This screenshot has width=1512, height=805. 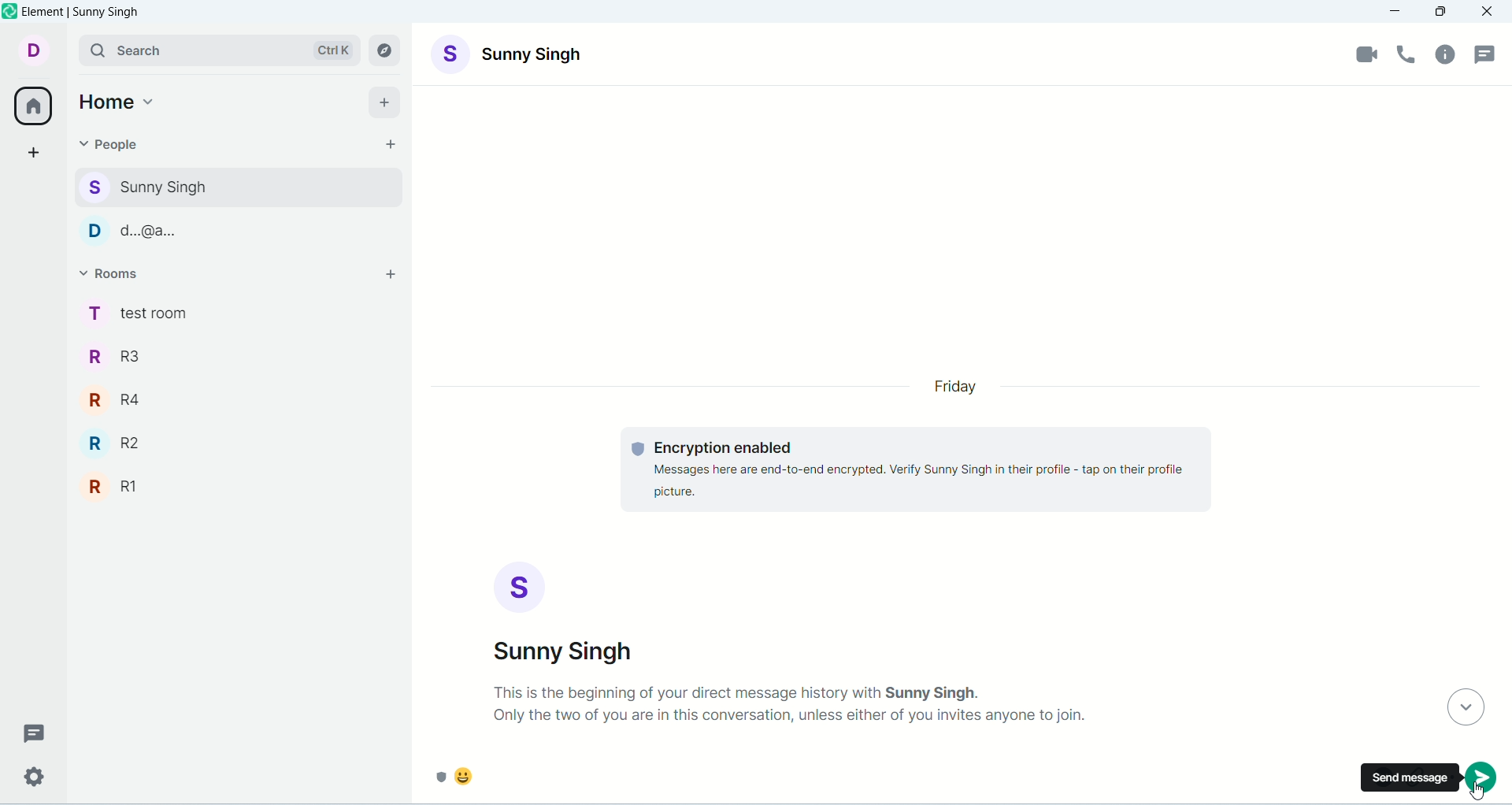 What do you see at coordinates (915, 471) in the screenshot?
I see `test` at bounding box center [915, 471].